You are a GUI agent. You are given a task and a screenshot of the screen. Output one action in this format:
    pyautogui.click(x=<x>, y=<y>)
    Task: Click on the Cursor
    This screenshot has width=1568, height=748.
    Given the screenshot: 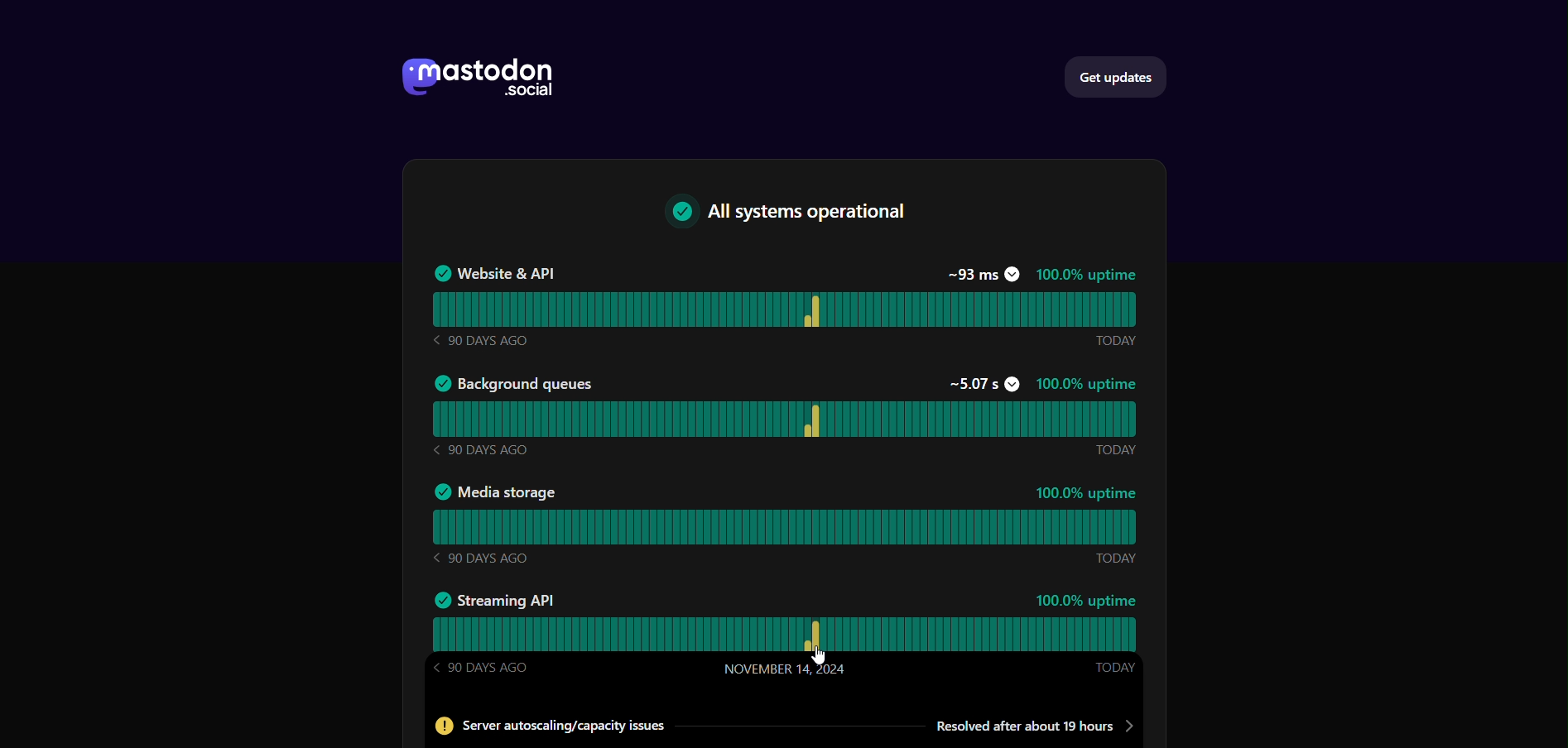 What is the action you would take?
    pyautogui.click(x=820, y=655)
    